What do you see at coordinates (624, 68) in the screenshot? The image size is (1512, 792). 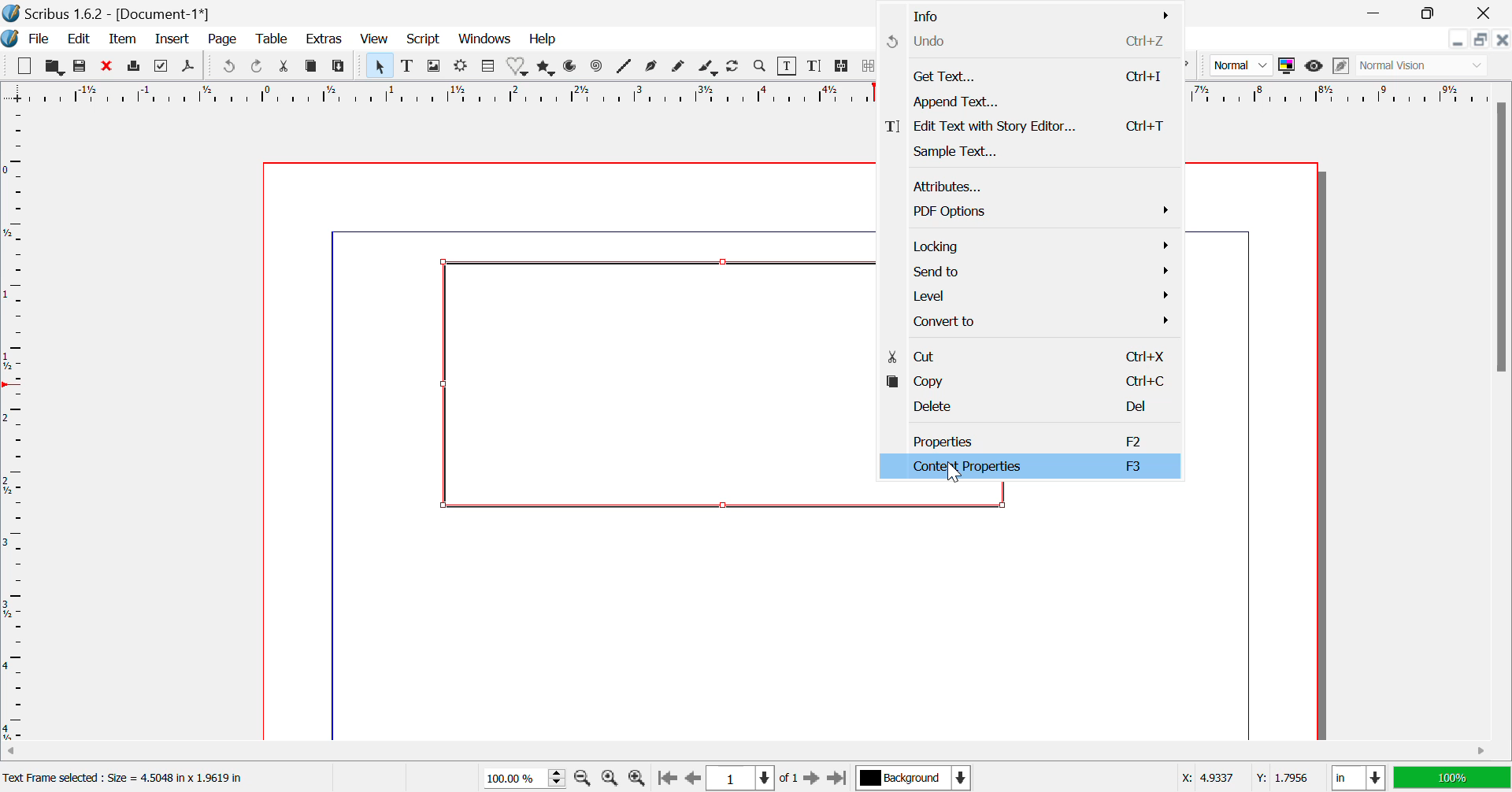 I see `Lines` at bounding box center [624, 68].